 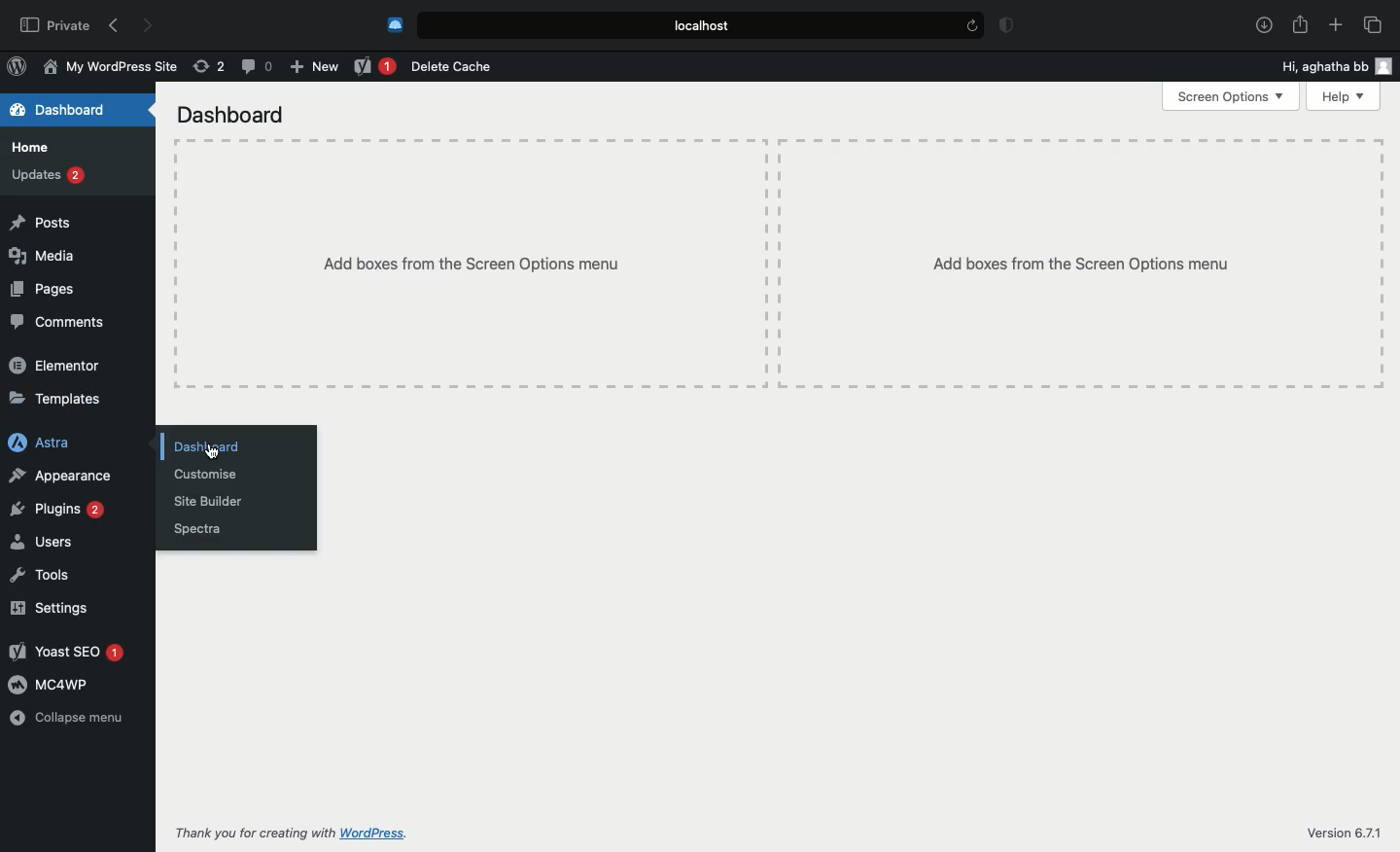 What do you see at coordinates (43, 444) in the screenshot?
I see `Astra` at bounding box center [43, 444].